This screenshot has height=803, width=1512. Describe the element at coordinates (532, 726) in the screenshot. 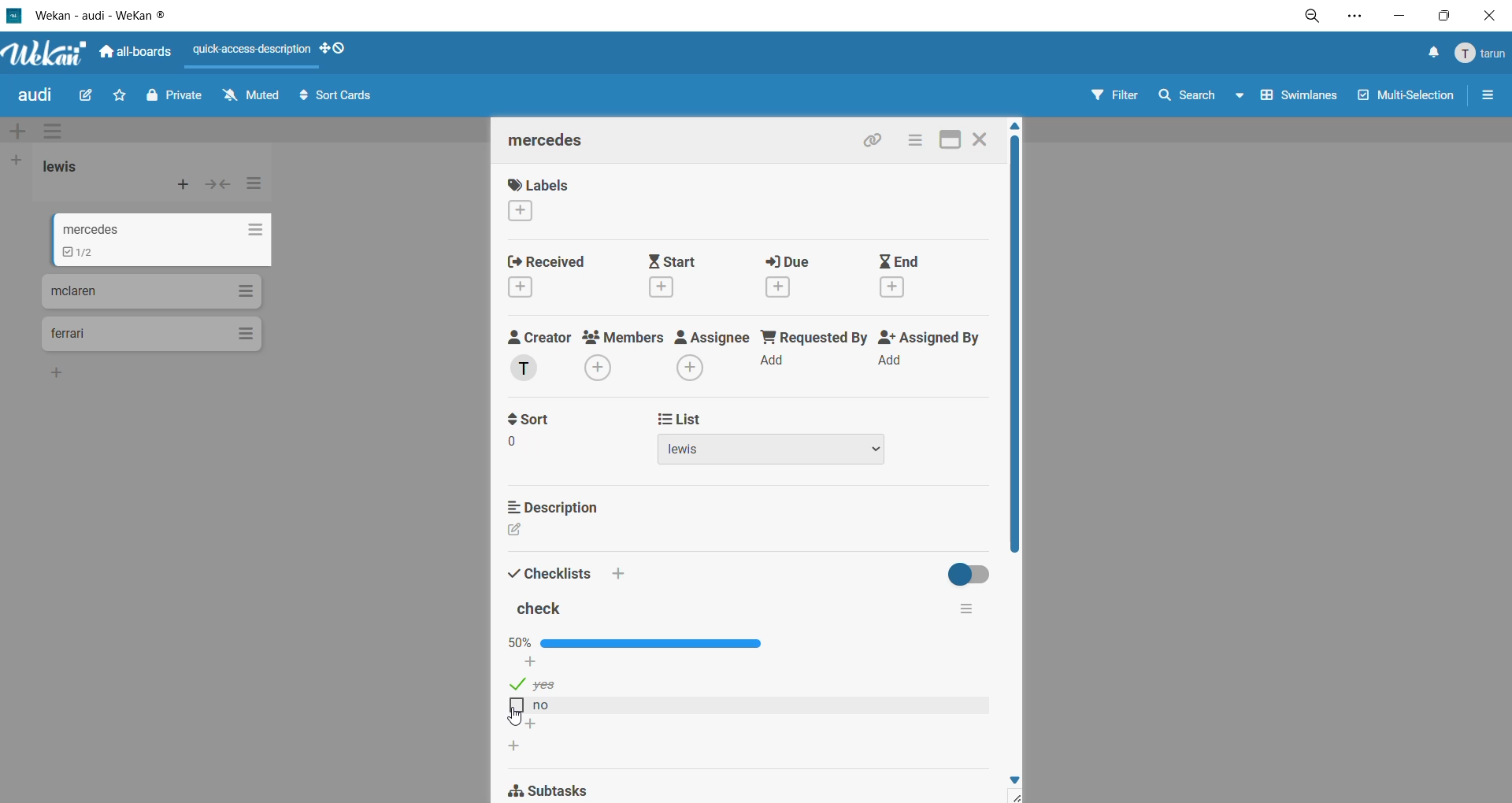

I see `add` at that location.